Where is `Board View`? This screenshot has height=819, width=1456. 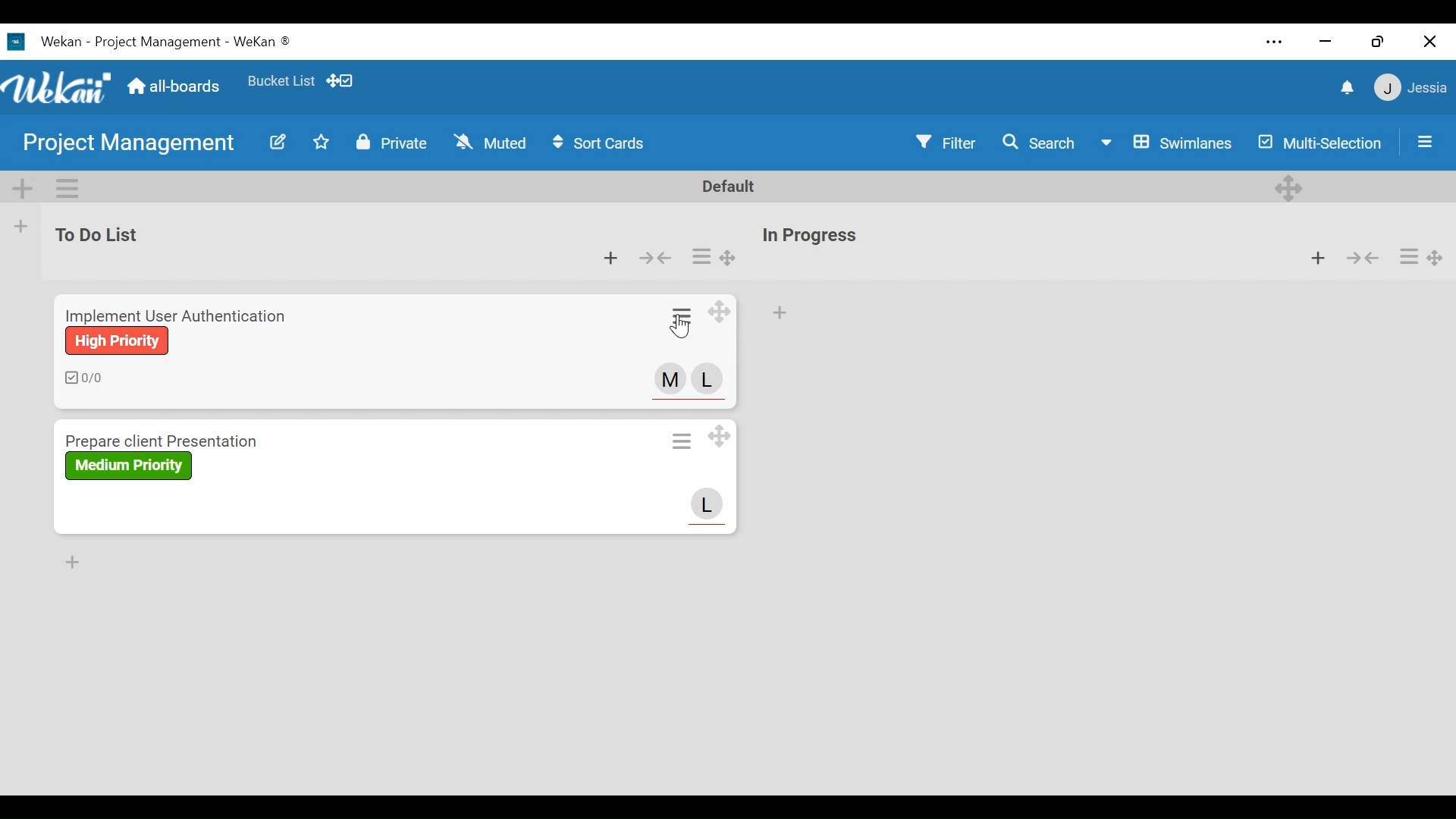
Board View is located at coordinates (1167, 143).